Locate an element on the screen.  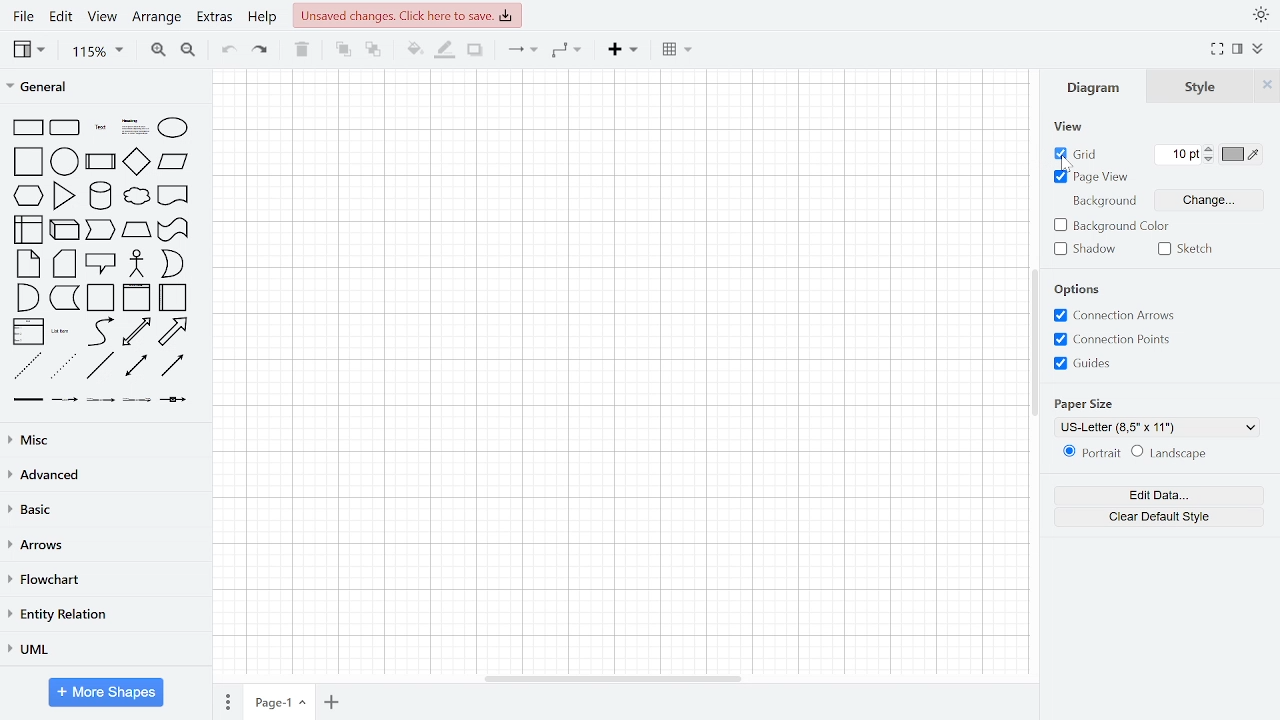
redo is located at coordinates (258, 51).